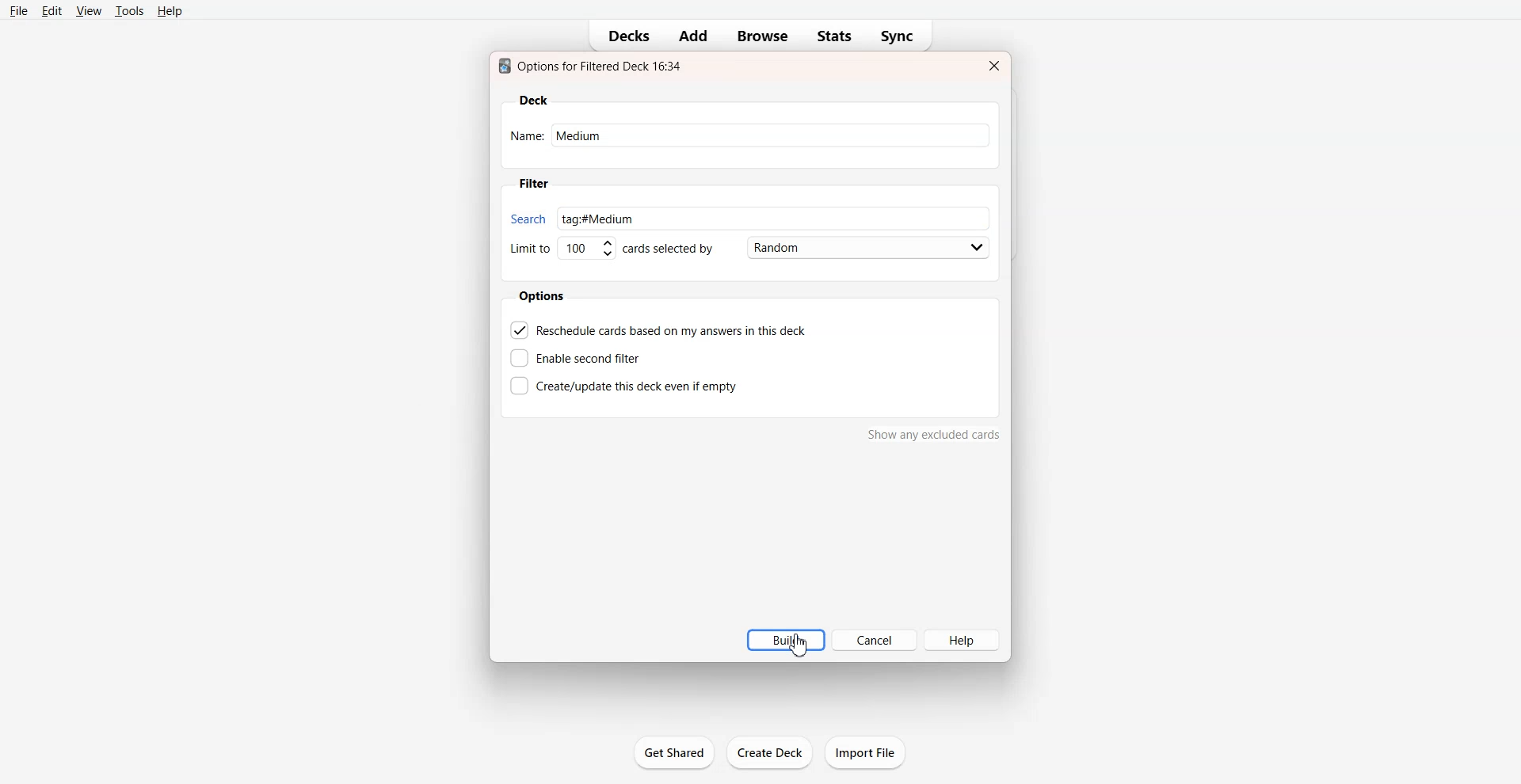 Image resolution: width=1521 pixels, height=784 pixels. Describe the element at coordinates (593, 66) in the screenshot. I see `Text` at that location.